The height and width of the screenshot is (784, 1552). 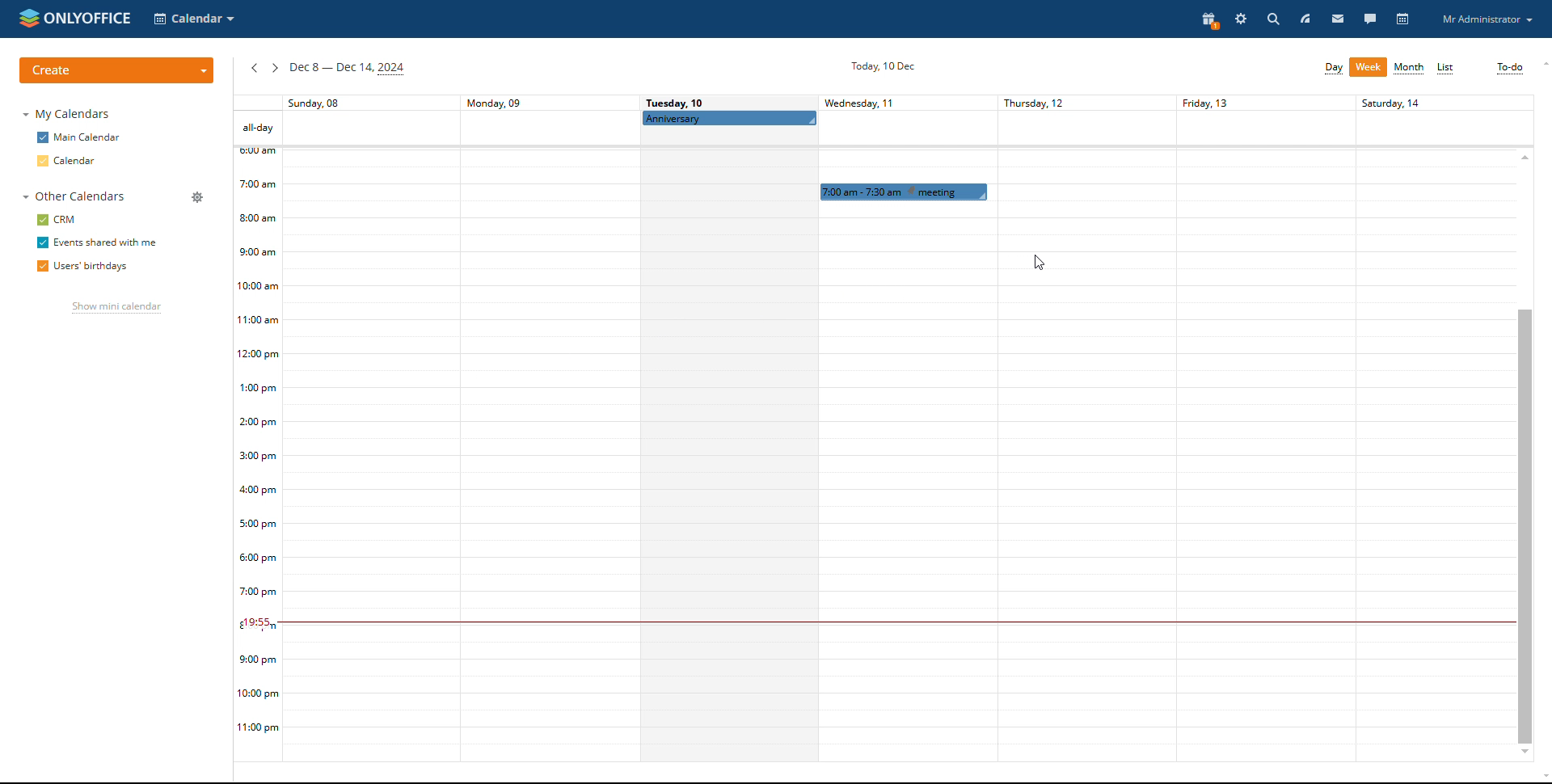 What do you see at coordinates (194, 19) in the screenshot?
I see `select application` at bounding box center [194, 19].